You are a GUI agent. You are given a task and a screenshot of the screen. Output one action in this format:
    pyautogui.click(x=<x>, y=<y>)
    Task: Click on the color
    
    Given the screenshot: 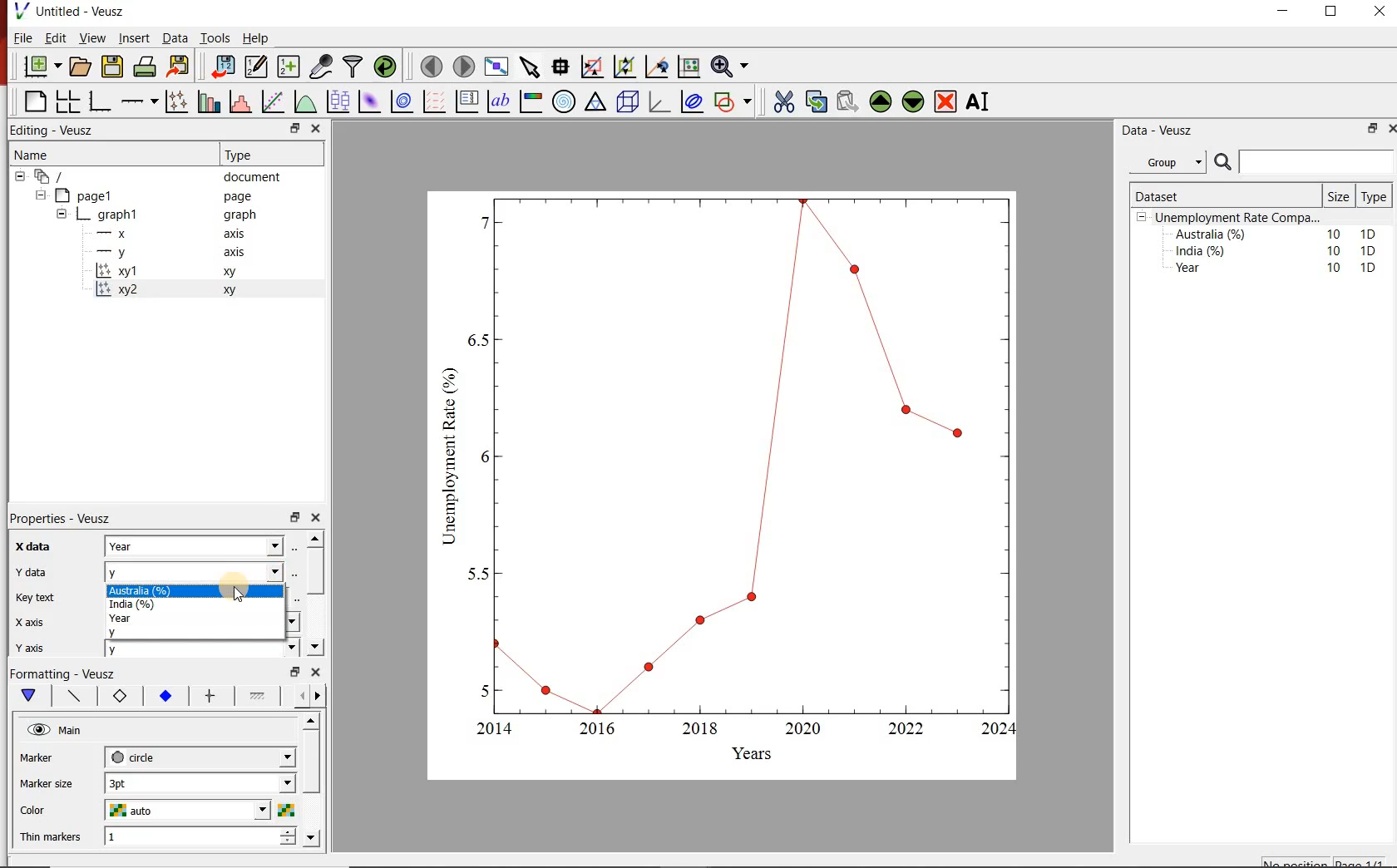 What is the action you would take?
    pyautogui.click(x=46, y=811)
    